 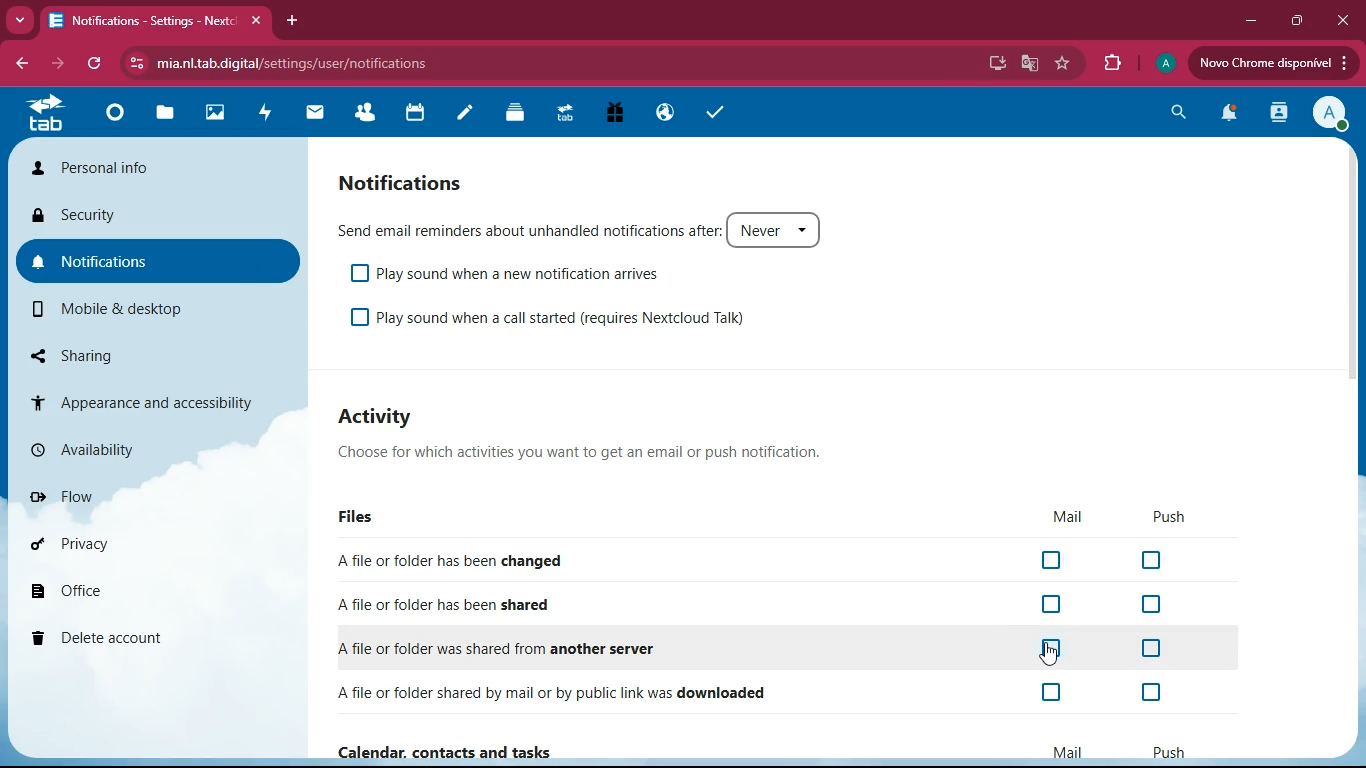 I want to click on push, so click(x=1168, y=750).